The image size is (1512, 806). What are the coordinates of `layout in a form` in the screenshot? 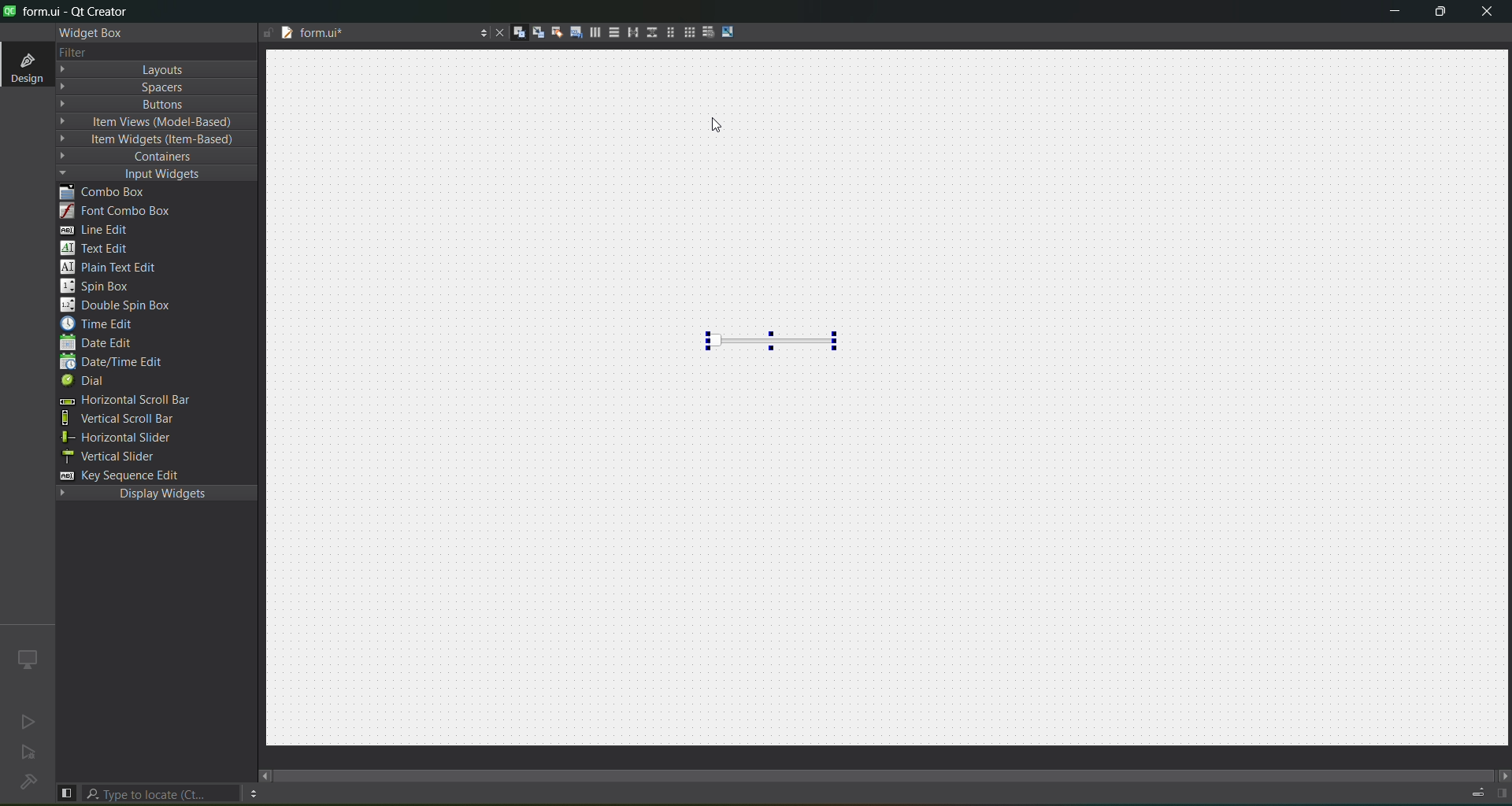 It's located at (672, 33).